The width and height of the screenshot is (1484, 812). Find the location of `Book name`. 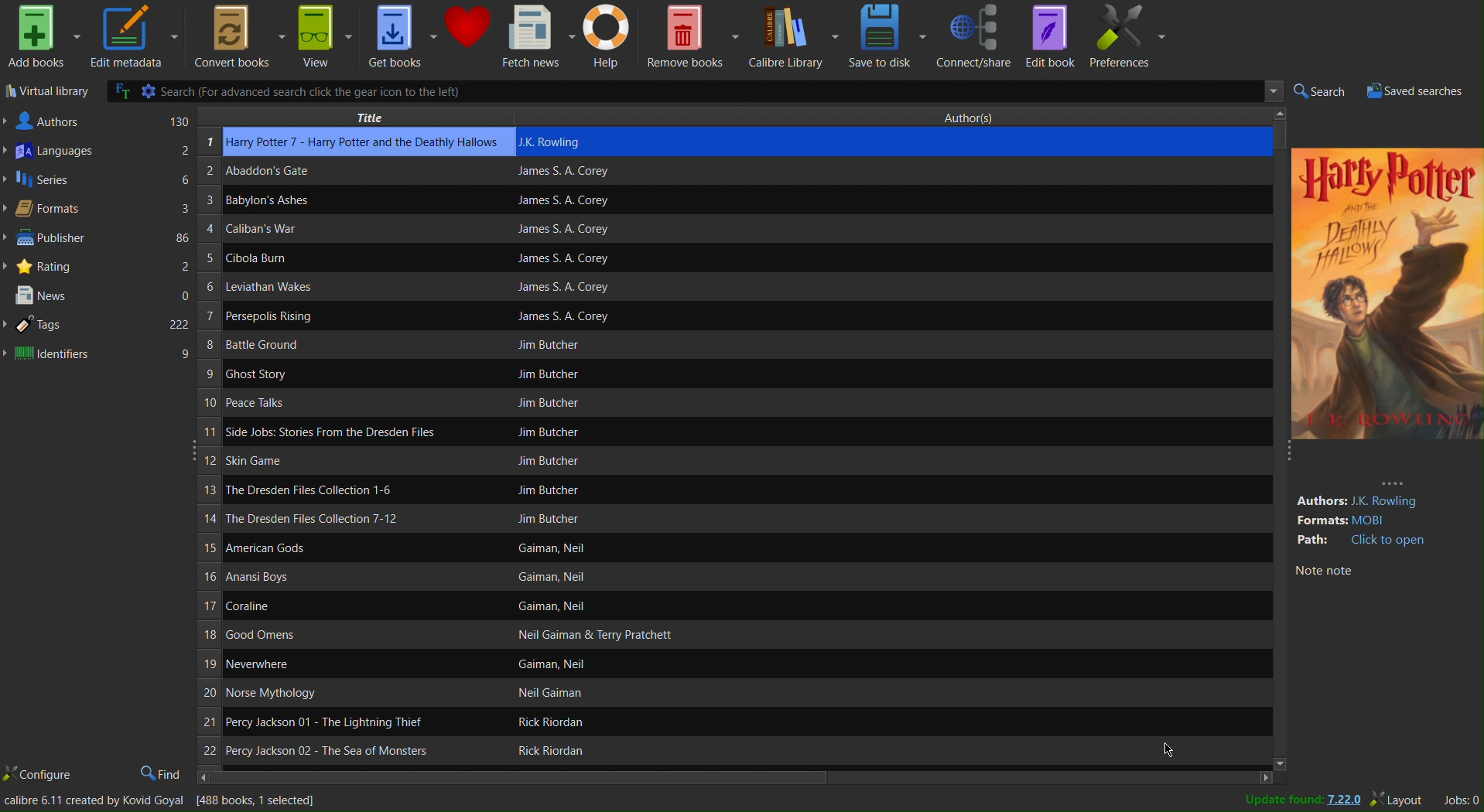

Book name is located at coordinates (351, 637).